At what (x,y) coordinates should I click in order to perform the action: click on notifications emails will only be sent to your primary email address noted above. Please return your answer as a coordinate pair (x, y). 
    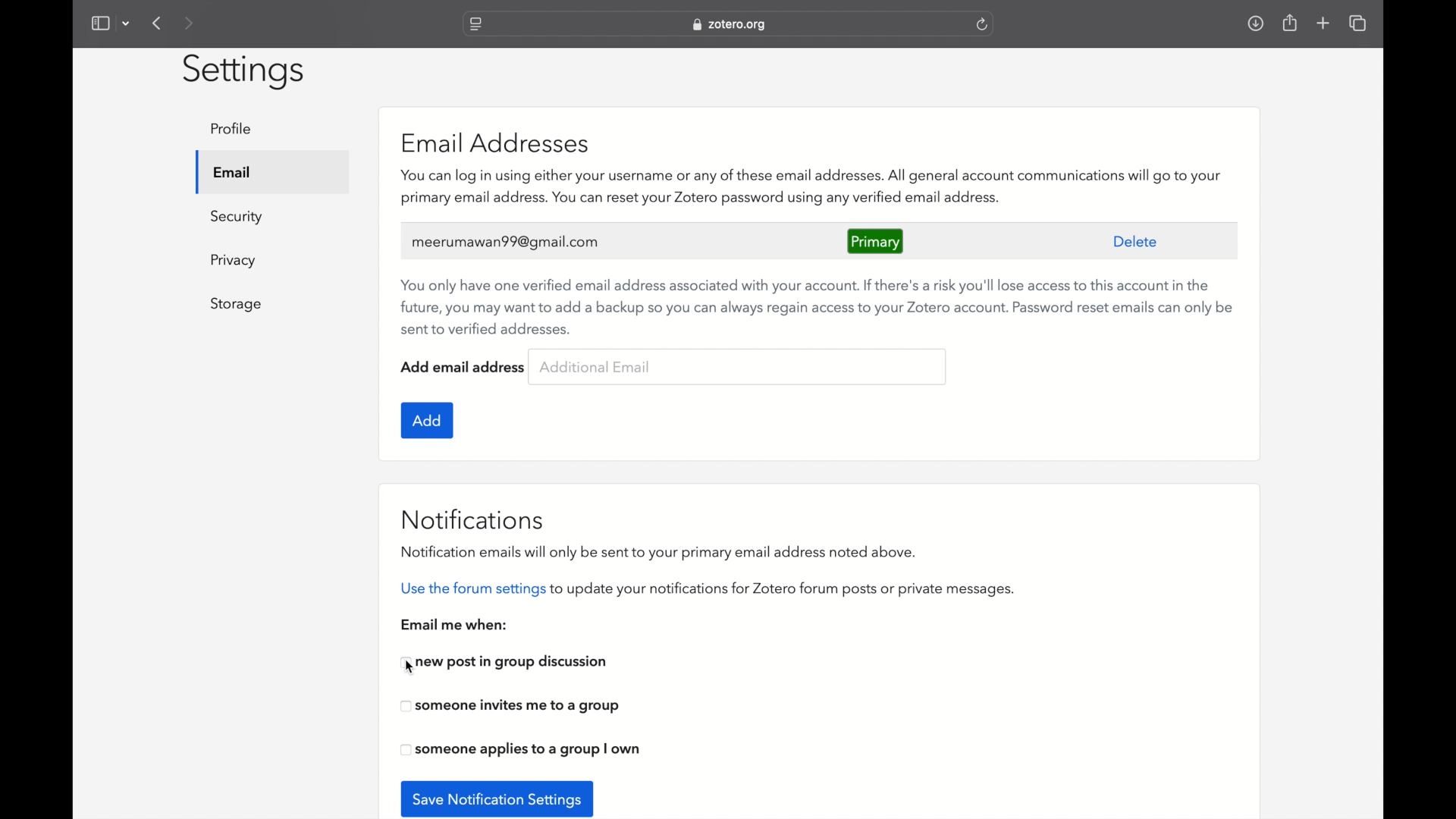
    Looking at the image, I should click on (658, 551).